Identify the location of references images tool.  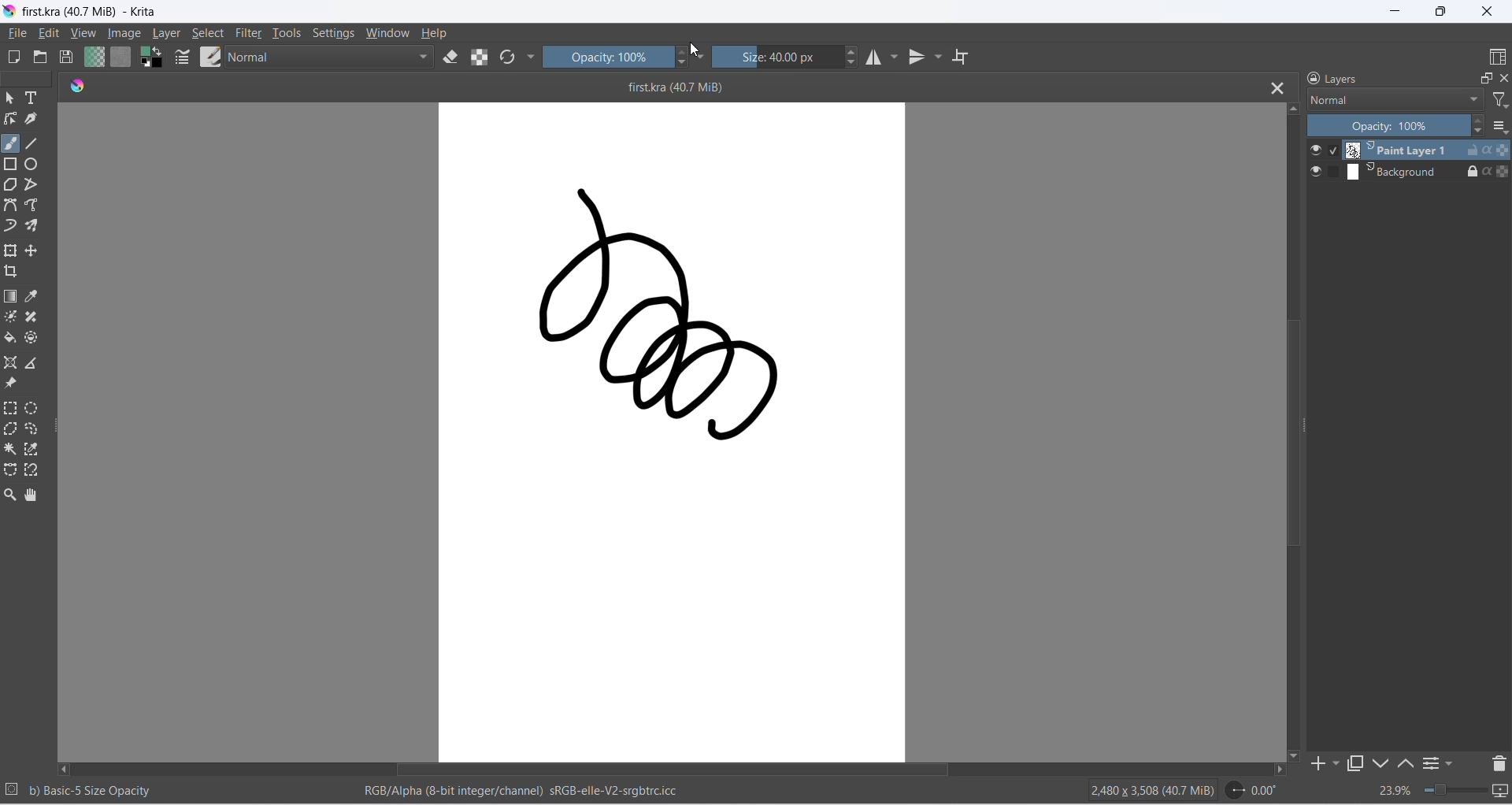
(12, 383).